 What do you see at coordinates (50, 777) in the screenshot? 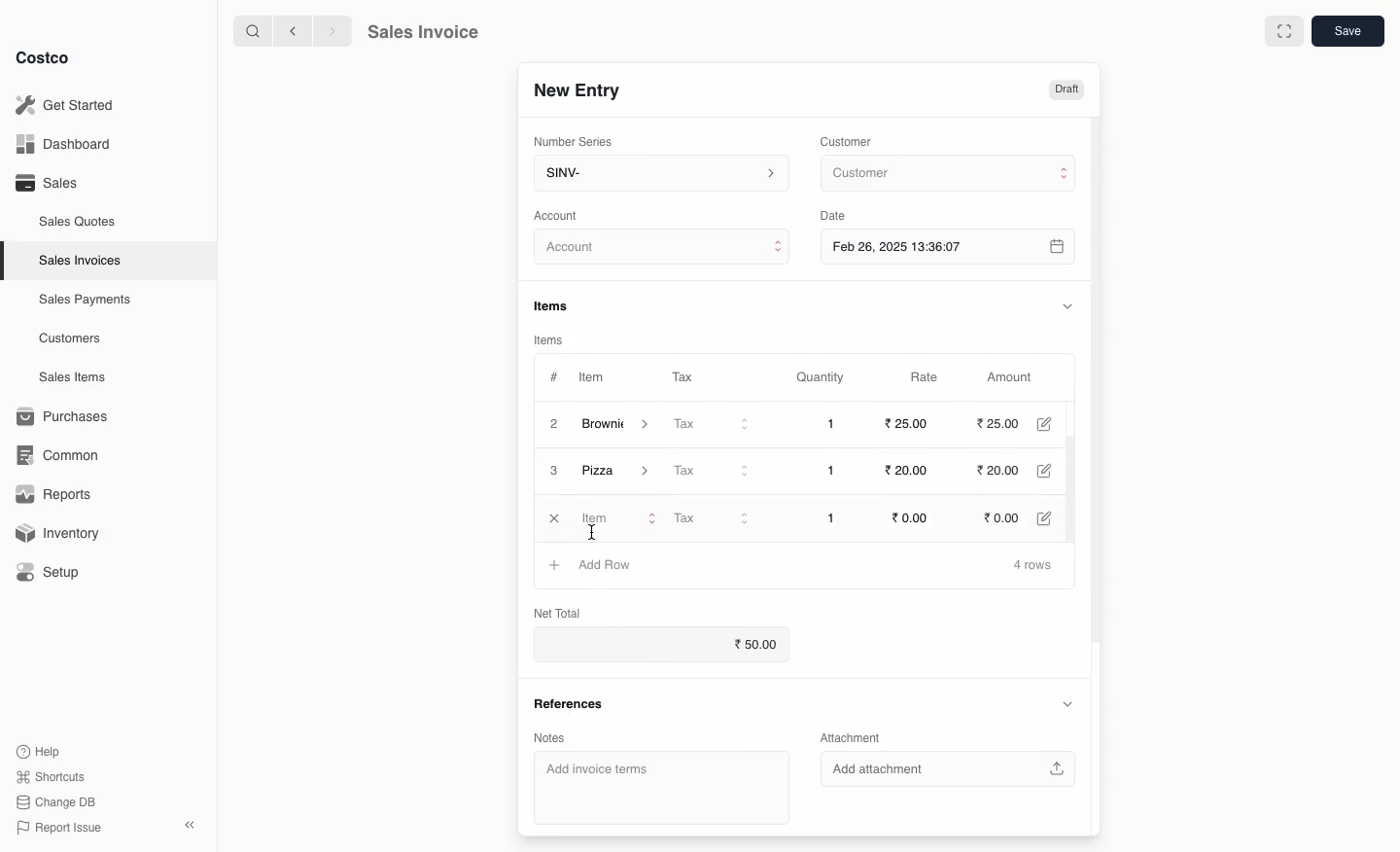
I see `Shortcuts` at bounding box center [50, 777].